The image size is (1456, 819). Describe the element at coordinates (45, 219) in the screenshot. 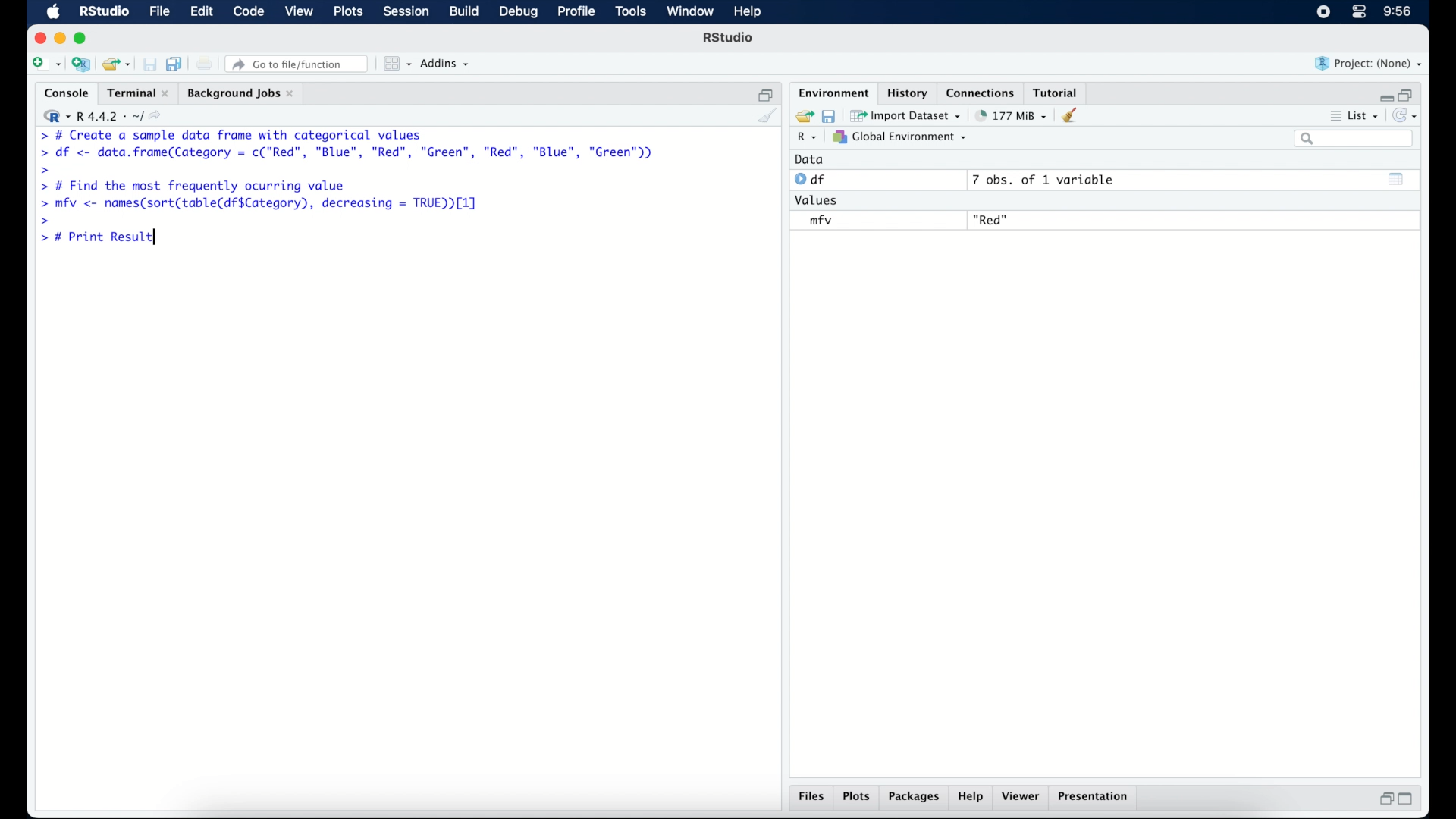

I see `command prompt` at that location.